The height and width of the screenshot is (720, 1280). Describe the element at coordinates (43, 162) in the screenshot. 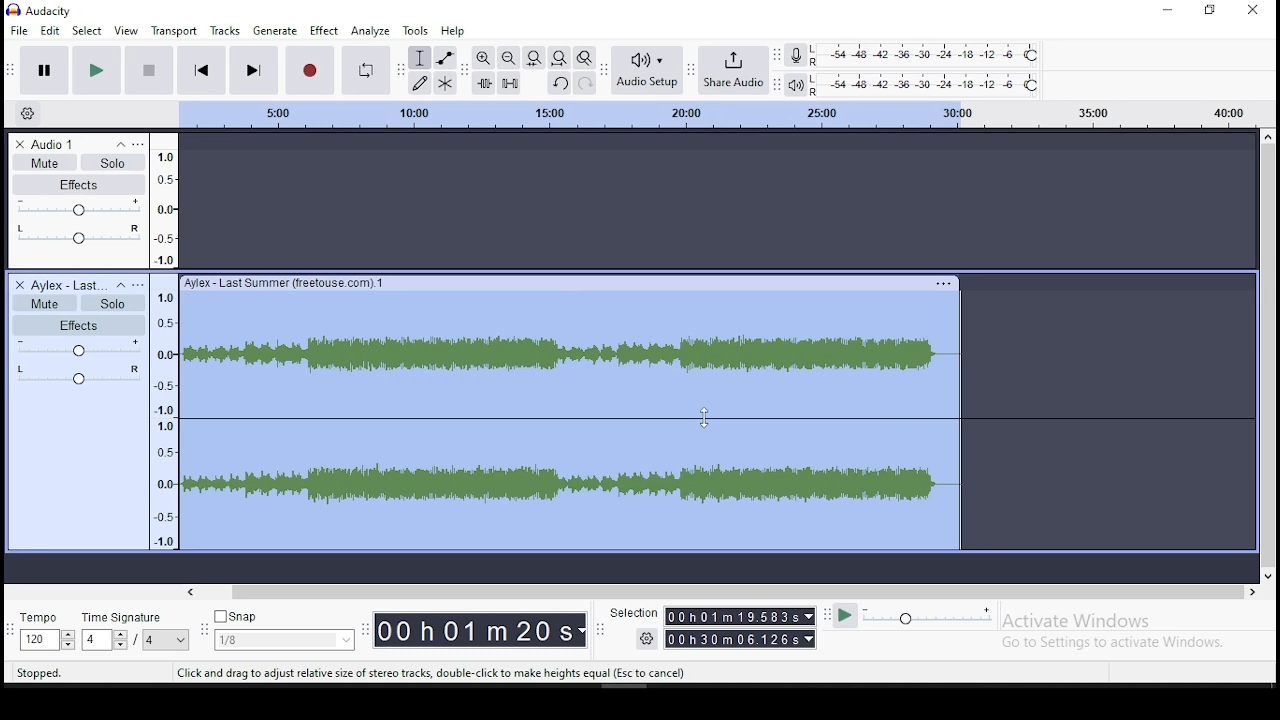

I see `mute` at that location.